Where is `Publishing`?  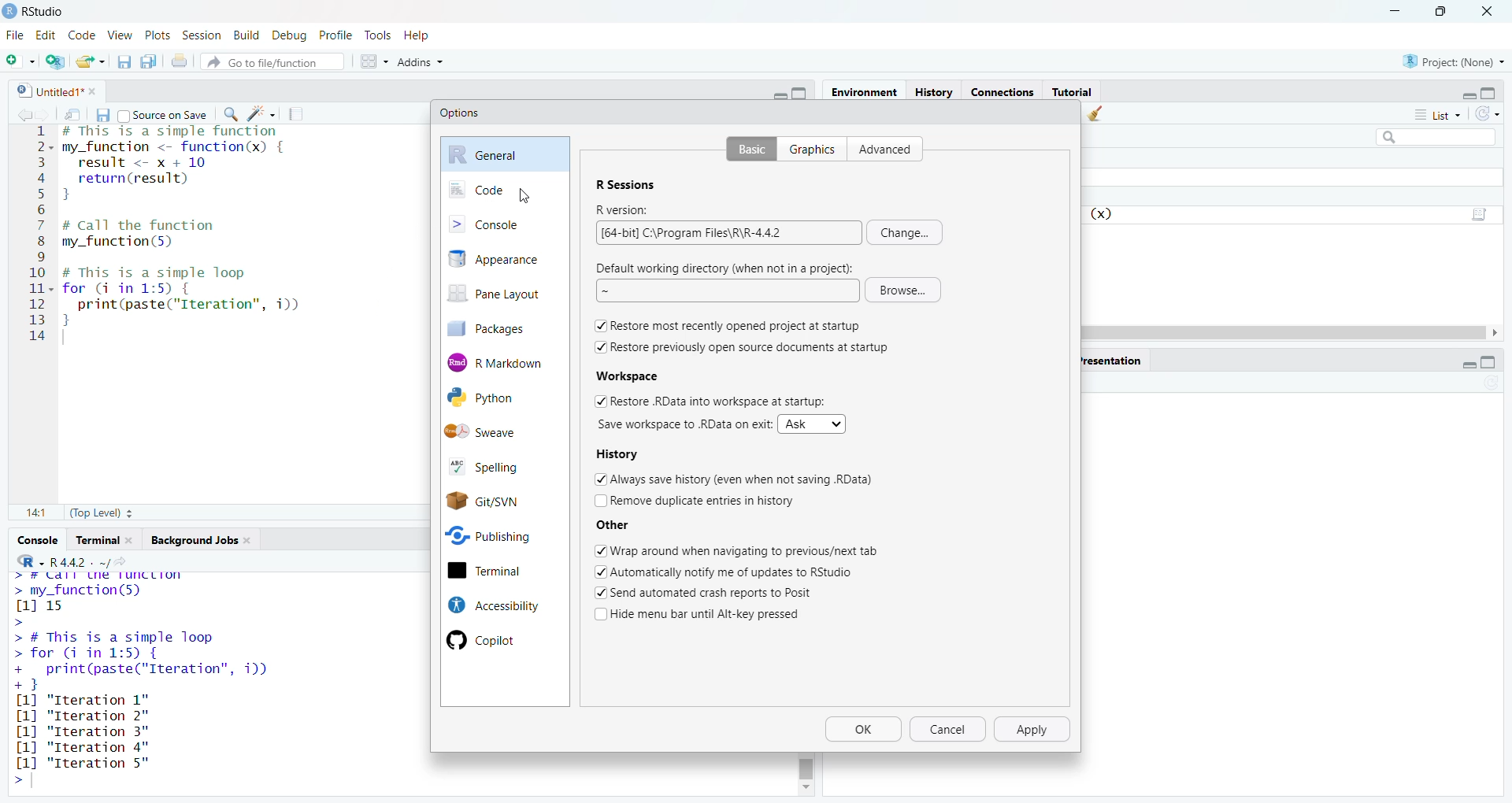 Publishing is located at coordinates (501, 534).